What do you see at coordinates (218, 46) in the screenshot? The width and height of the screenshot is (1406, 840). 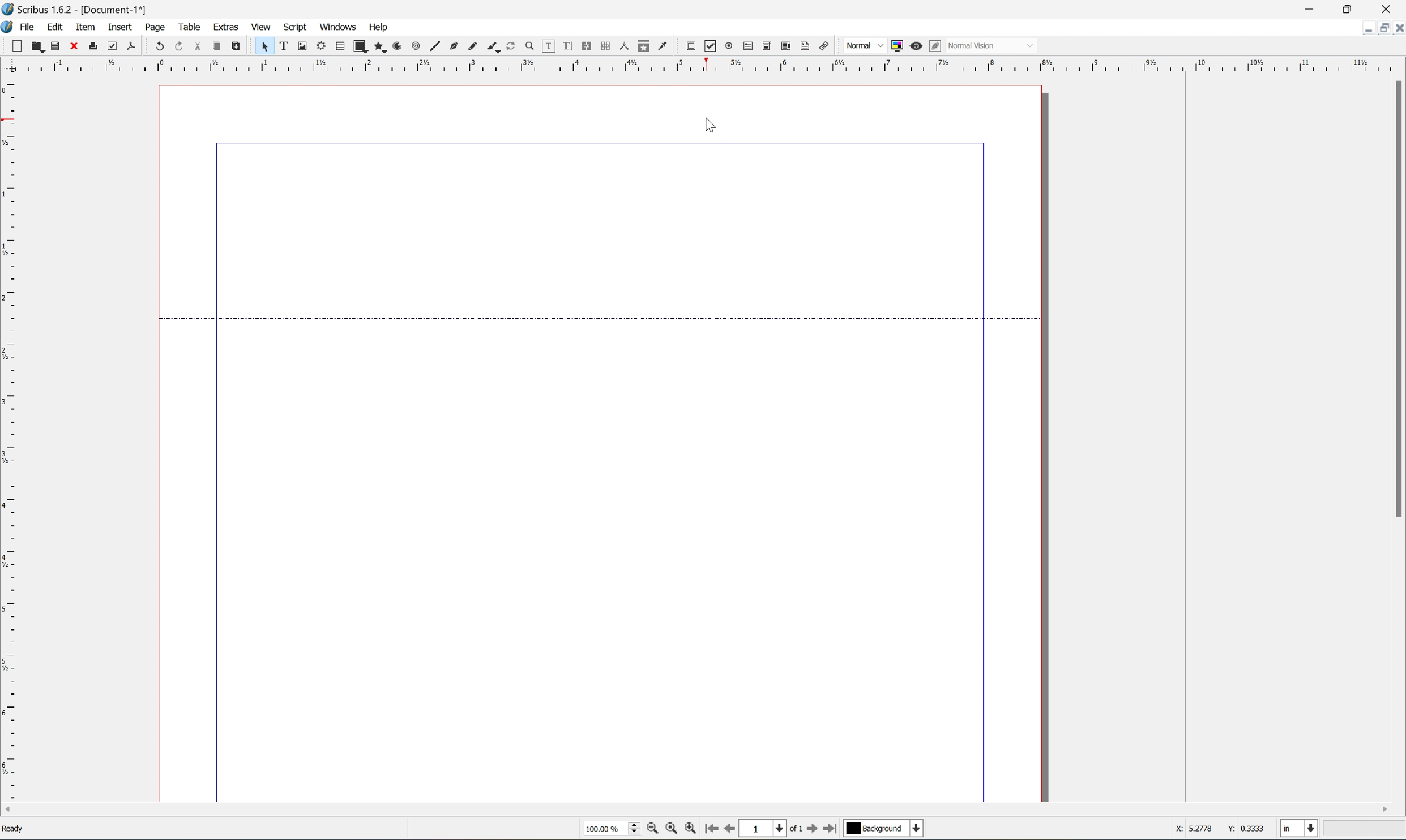 I see `copy` at bounding box center [218, 46].